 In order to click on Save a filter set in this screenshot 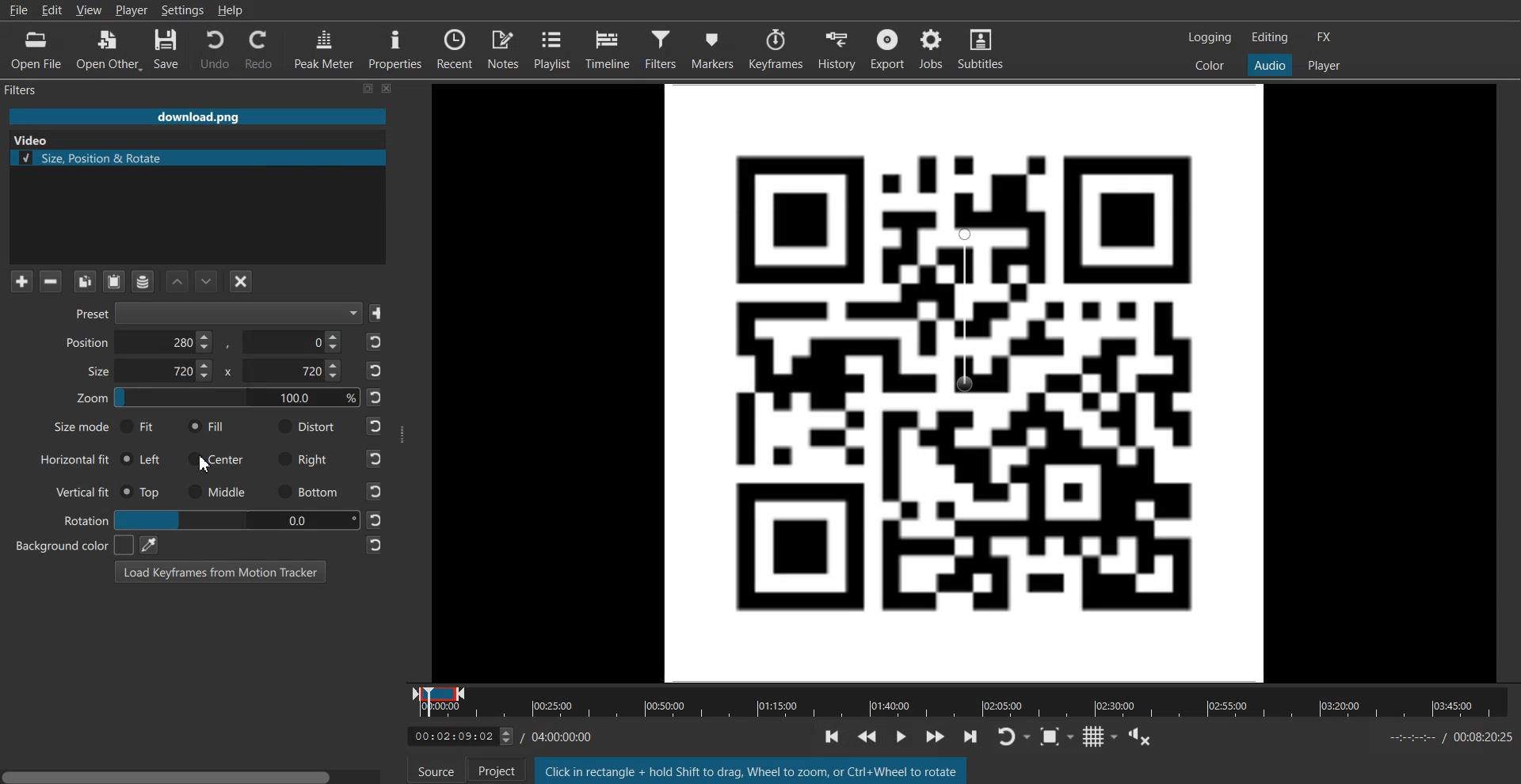, I will do `click(143, 281)`.